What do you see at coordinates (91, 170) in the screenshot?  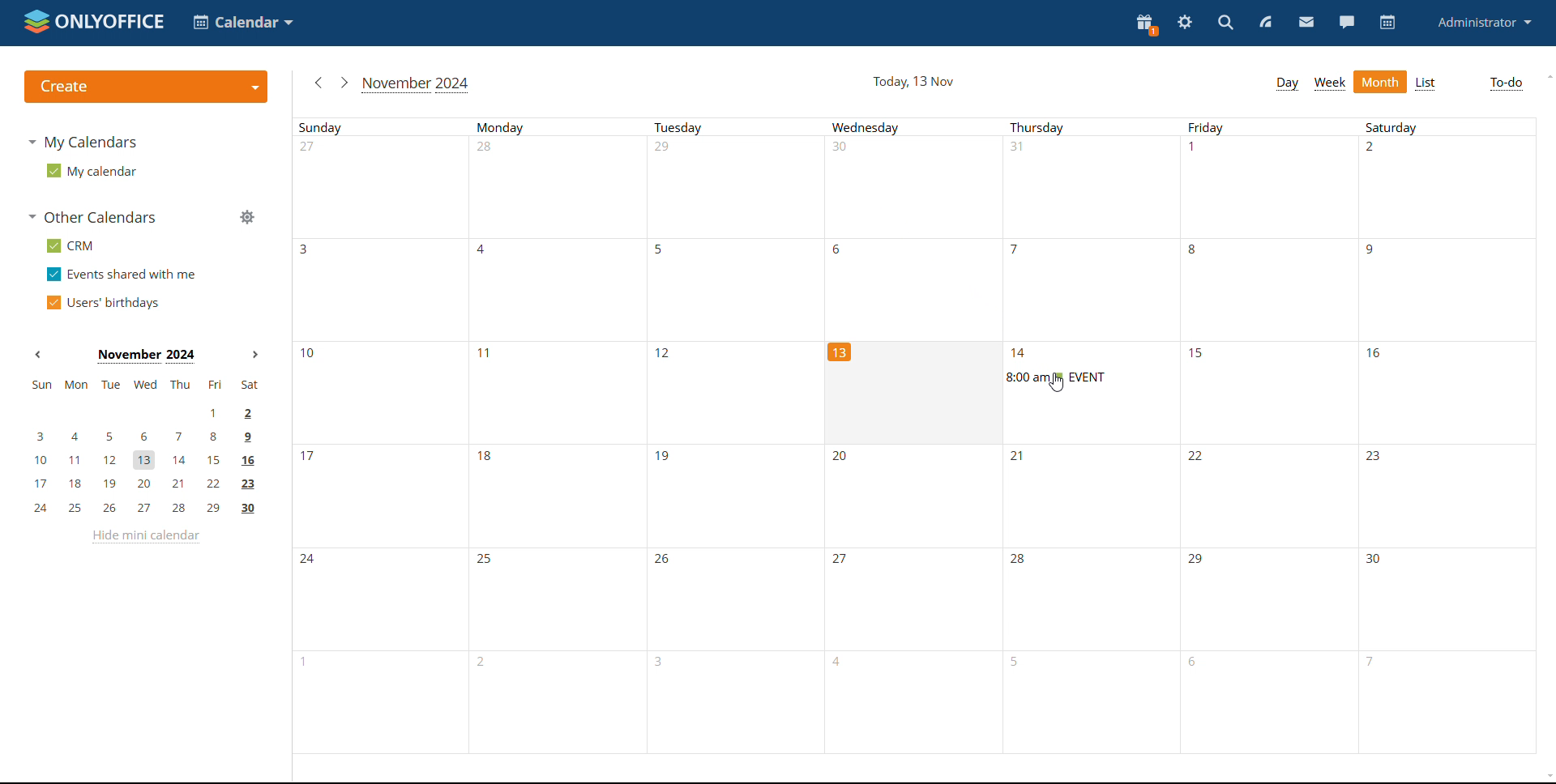 I see `my calendar` at bounding box center [91, 170].